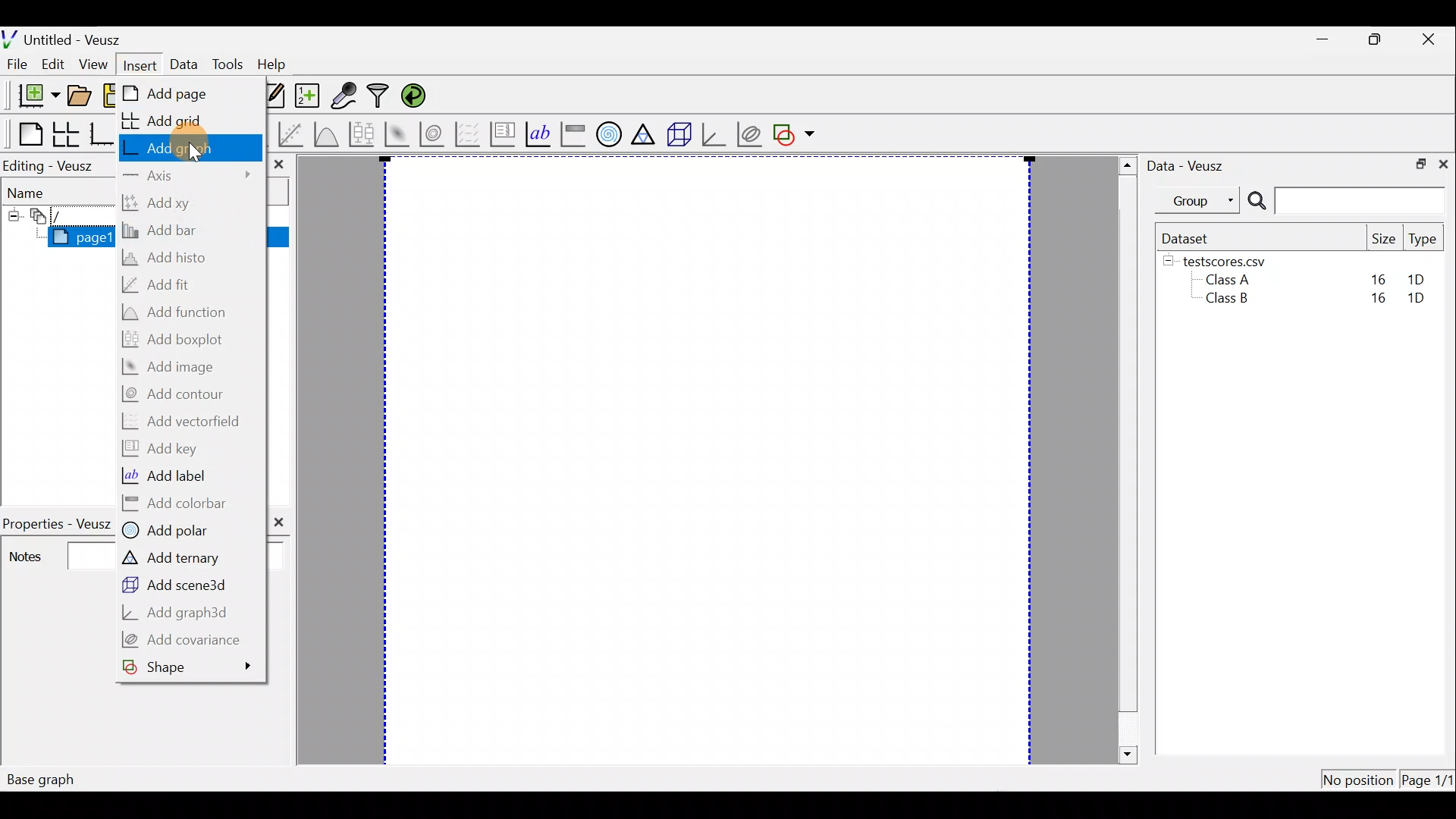  I want to click on Axis, so click(190, 177).